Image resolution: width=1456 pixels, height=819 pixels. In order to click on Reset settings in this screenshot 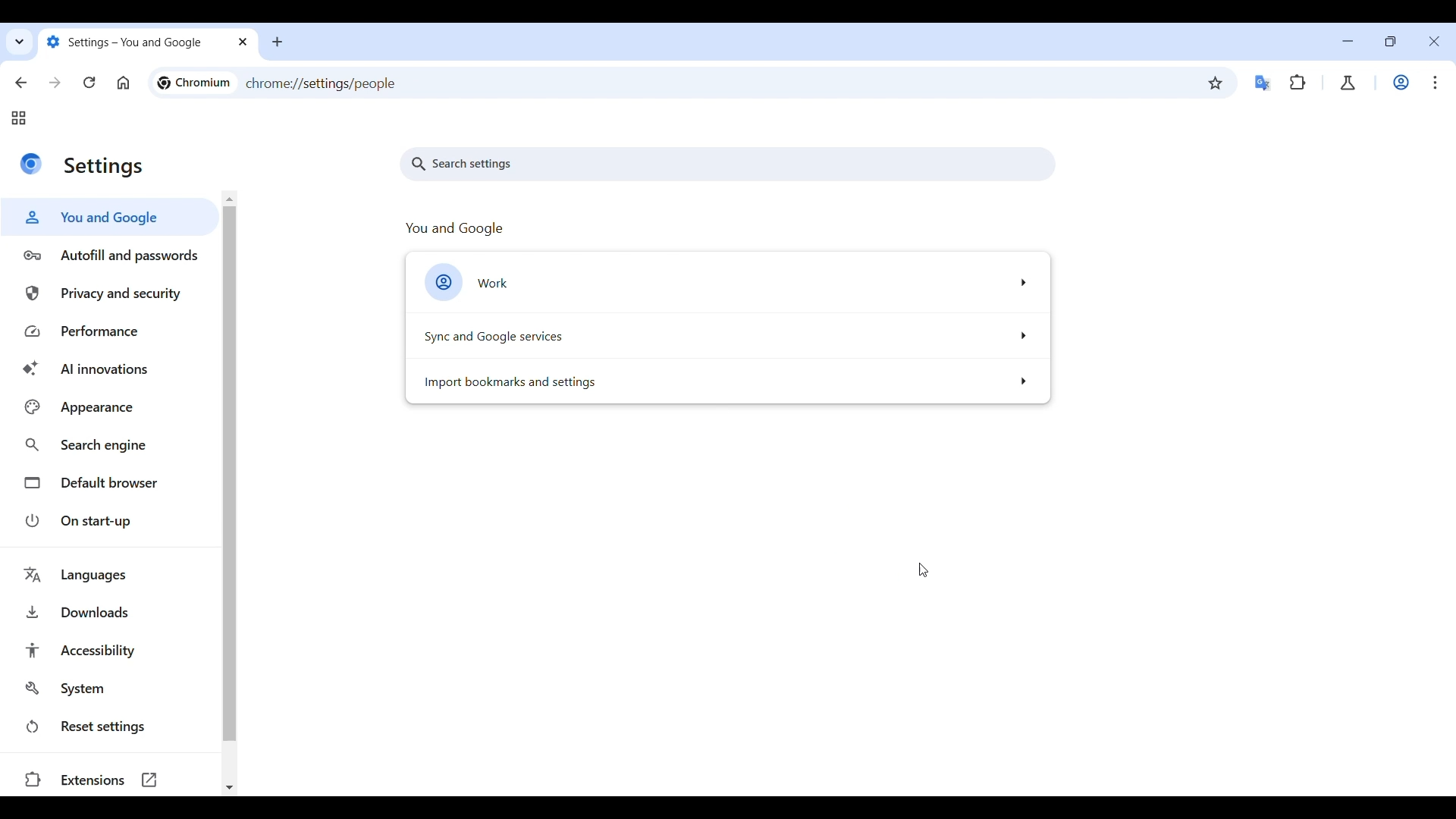, I will do `click(109, 726)`.